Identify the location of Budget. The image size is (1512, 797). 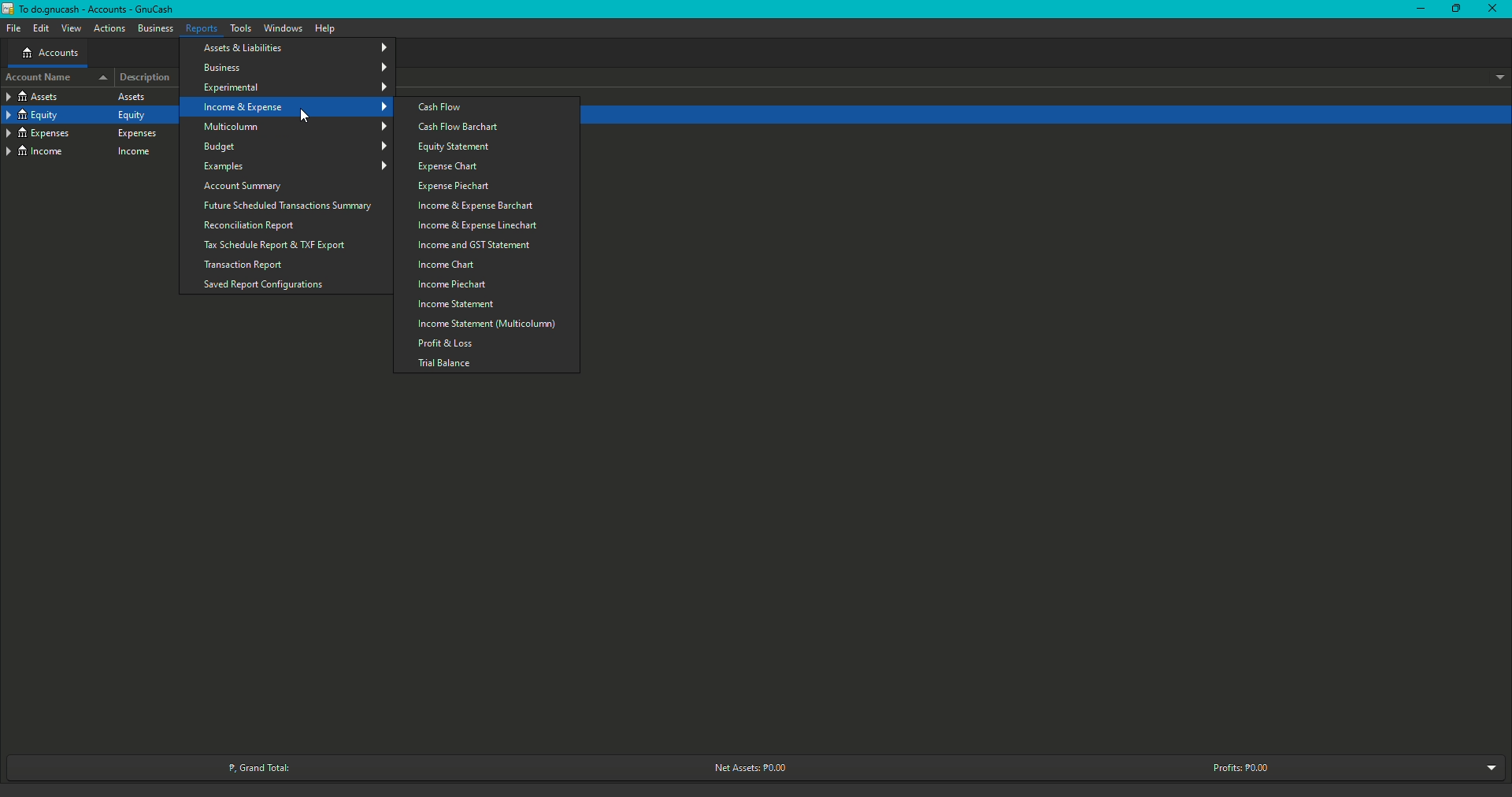
(294, 146).